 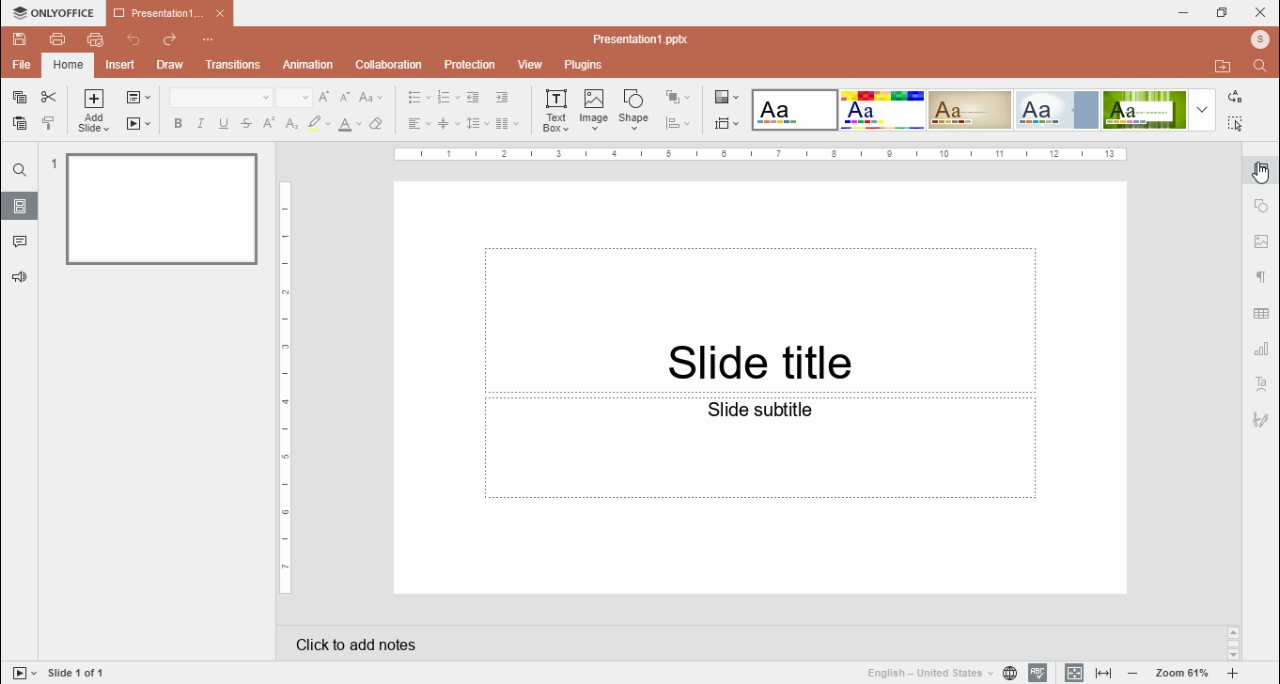 I want to click on more themes, so click(x=1202, y=109).